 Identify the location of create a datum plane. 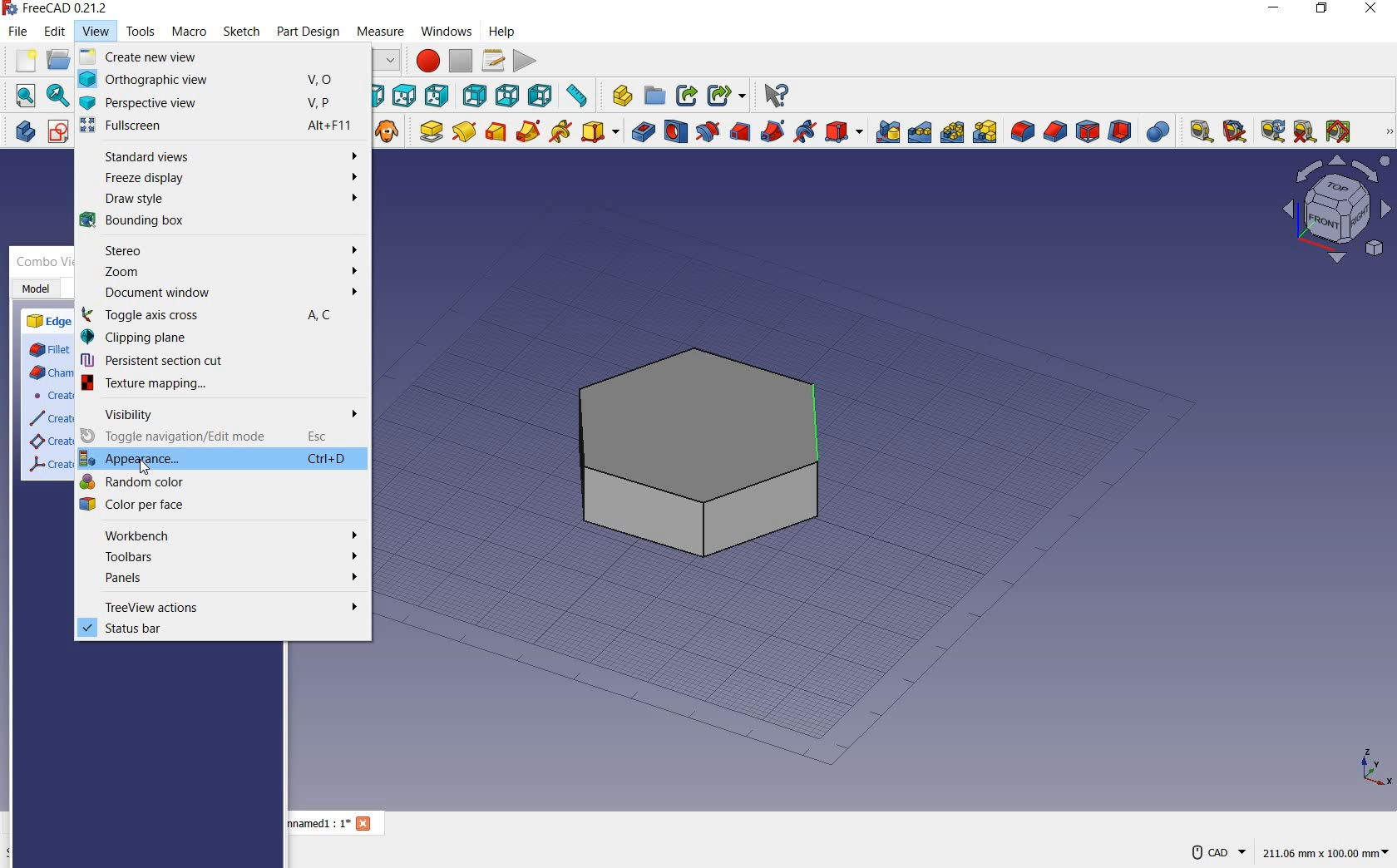
(47, 442).